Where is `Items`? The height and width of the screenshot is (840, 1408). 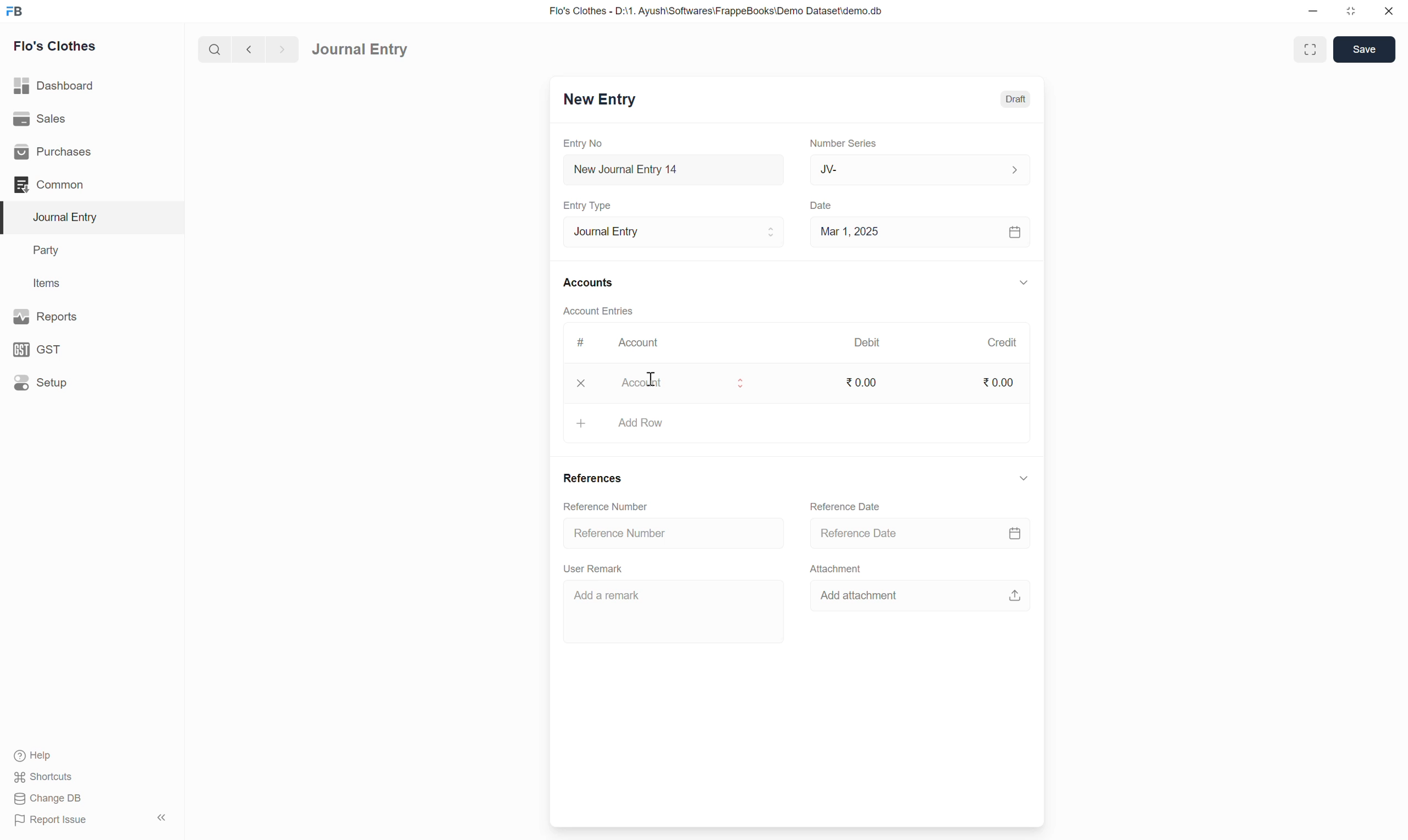
Items is located at coordinates (46, 282).